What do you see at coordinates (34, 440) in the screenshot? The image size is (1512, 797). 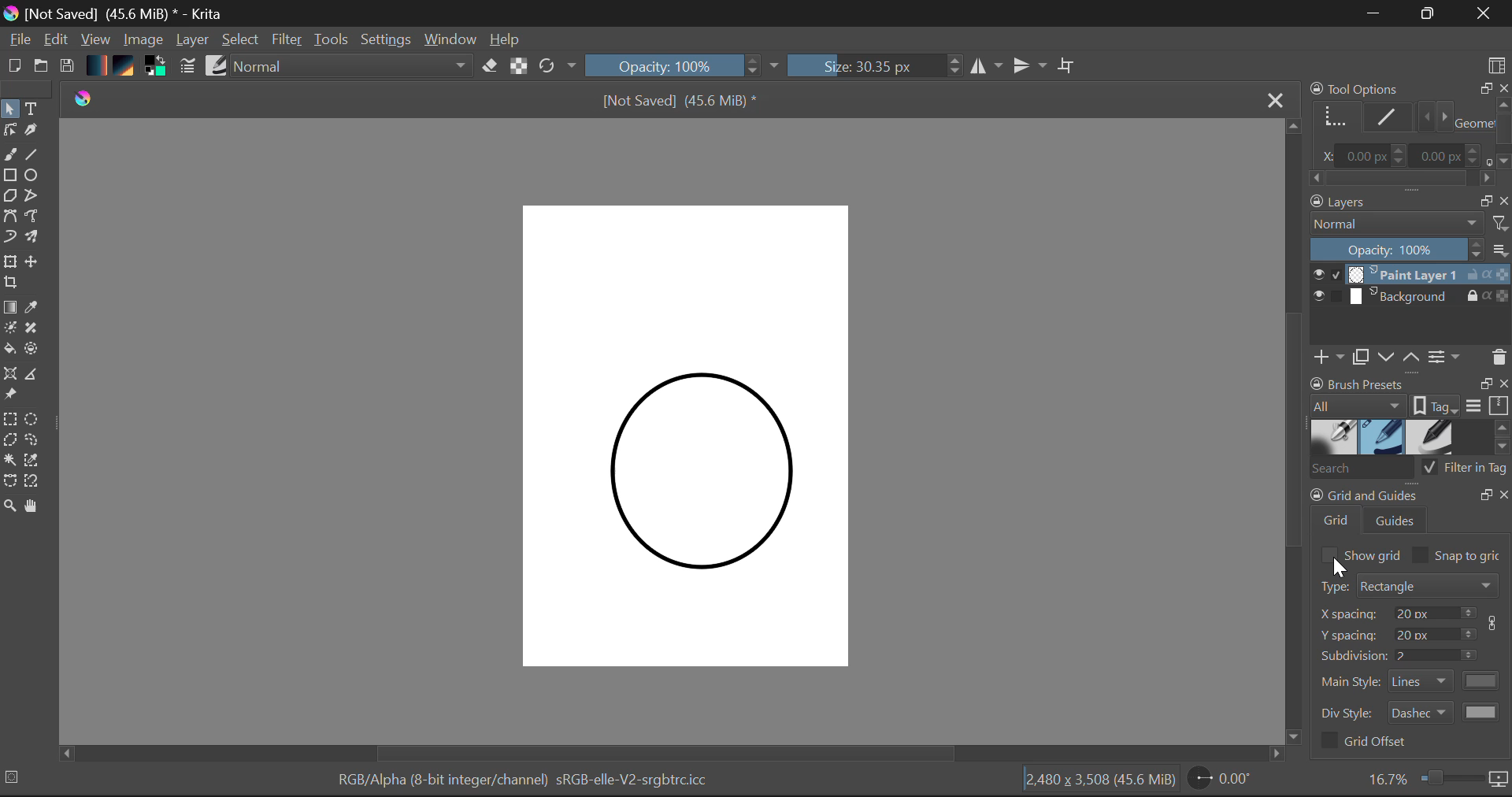 I see `Freehand Selection` at bounding box center [34, 440].